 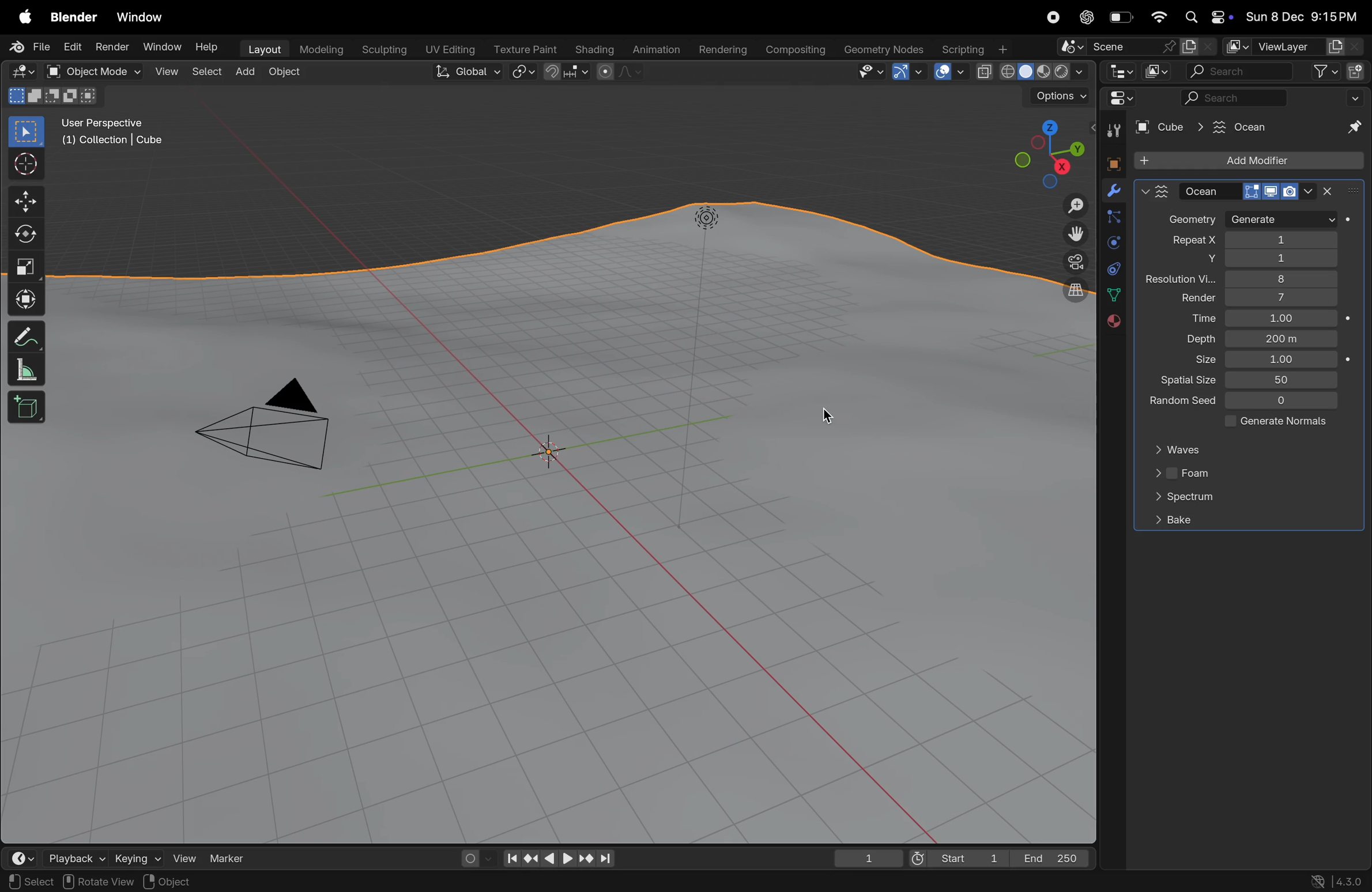 What do you see at coordinates (1111, 131) in the screenshot?
I see `tool` at bounding box center [1111, 131].